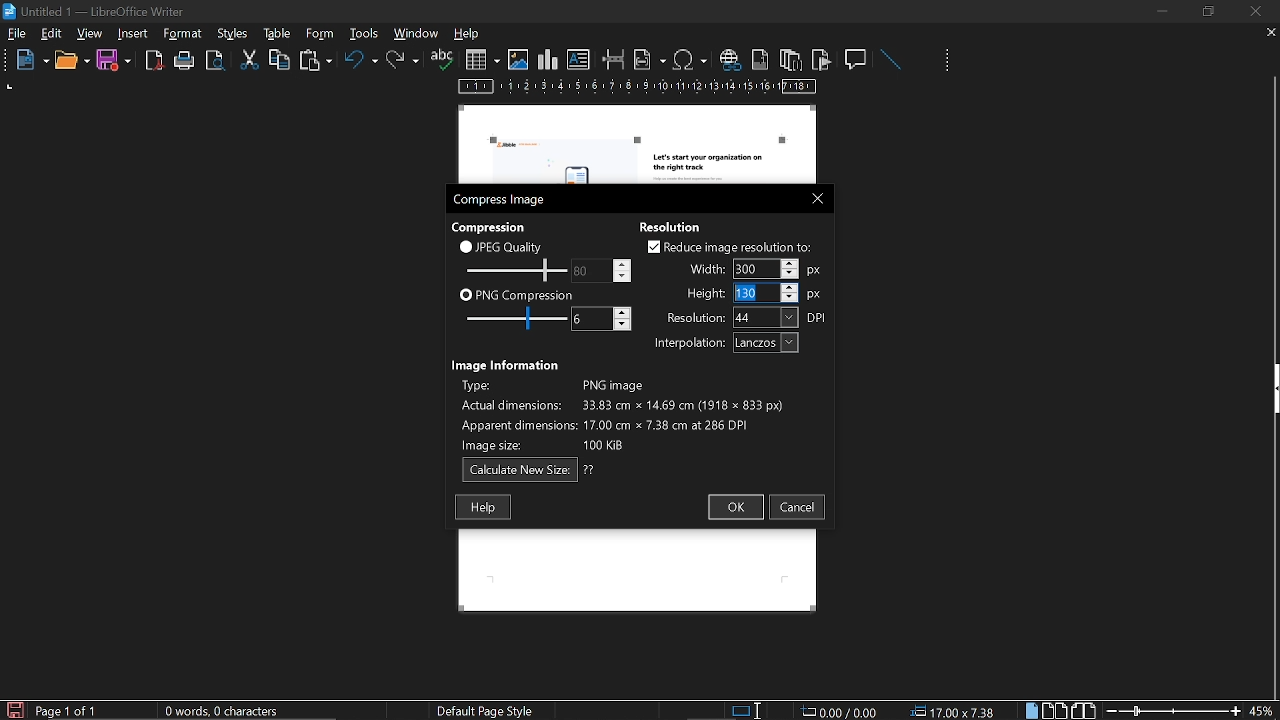 This screenshot has width=1280, height=720. What do you see at coordinates (489, 710) in the screenshot?
I see `page style` at bounding box center [489, 710].